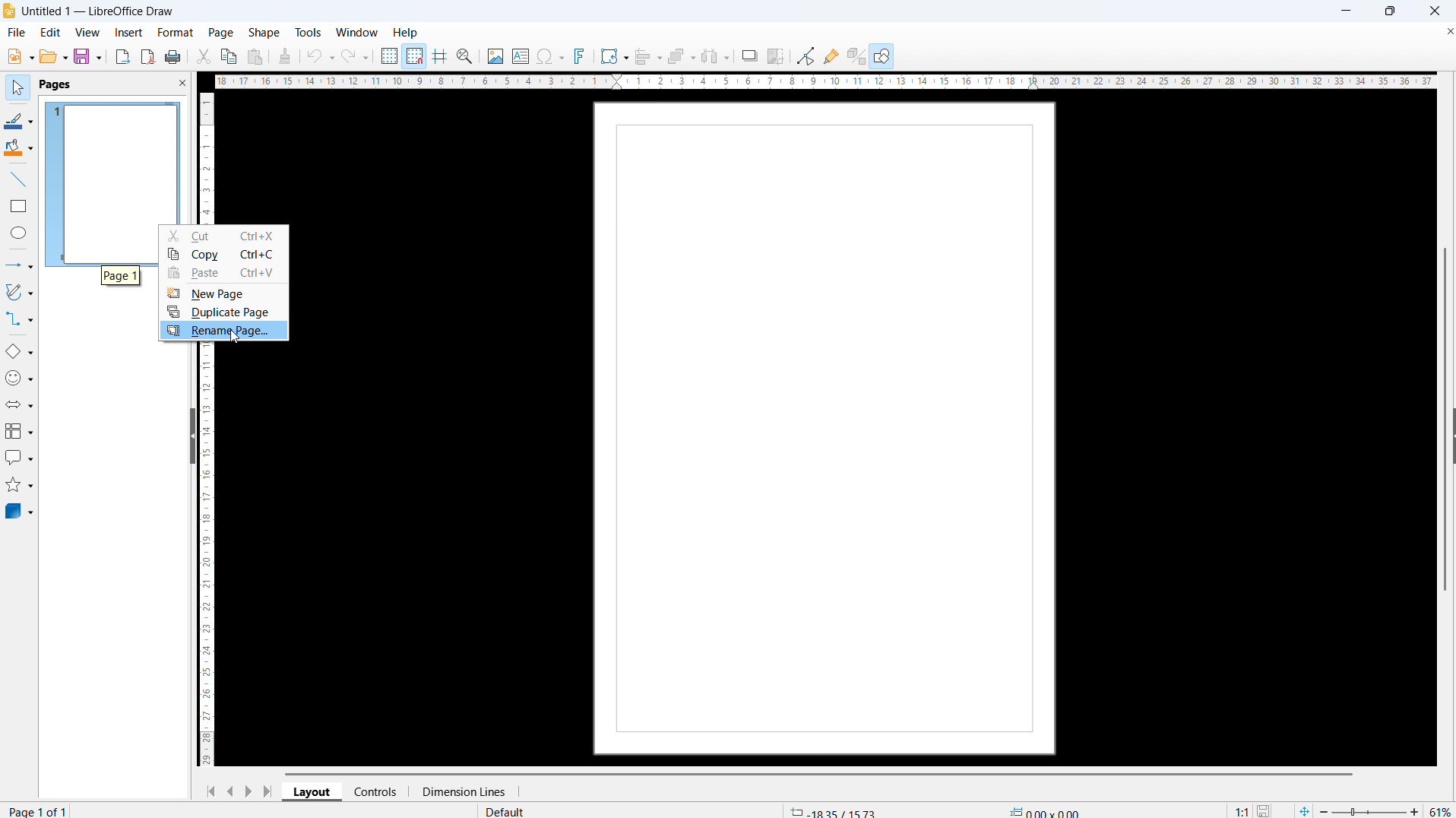 This screenshot has height=818, width=1456. What do you see at coordinates (267, 791) in the screenshot?
I see `go to last page` at bounding box center [267, 791].